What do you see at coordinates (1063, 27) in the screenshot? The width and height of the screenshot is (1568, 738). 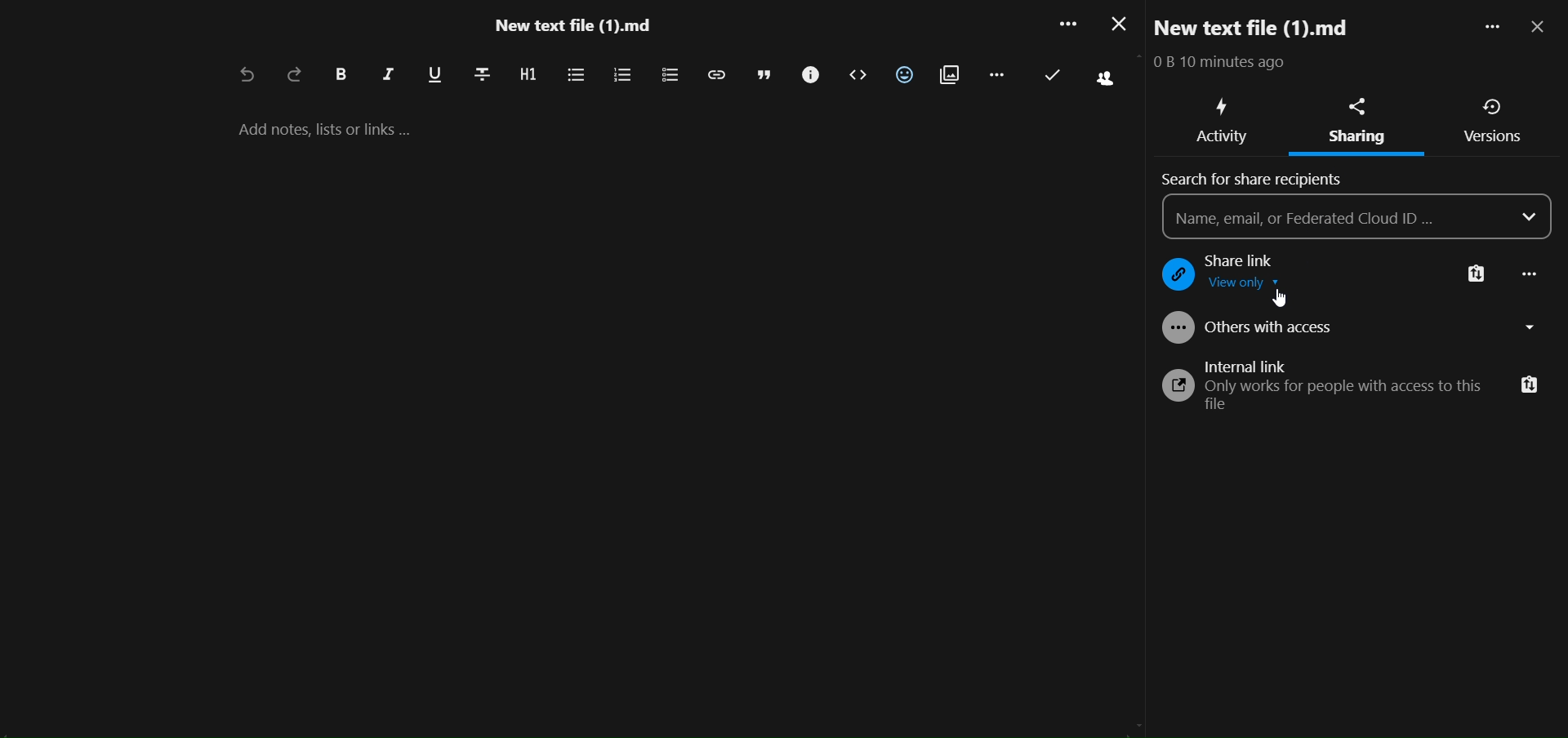 I see `more` at bounding box center [1063, 27].